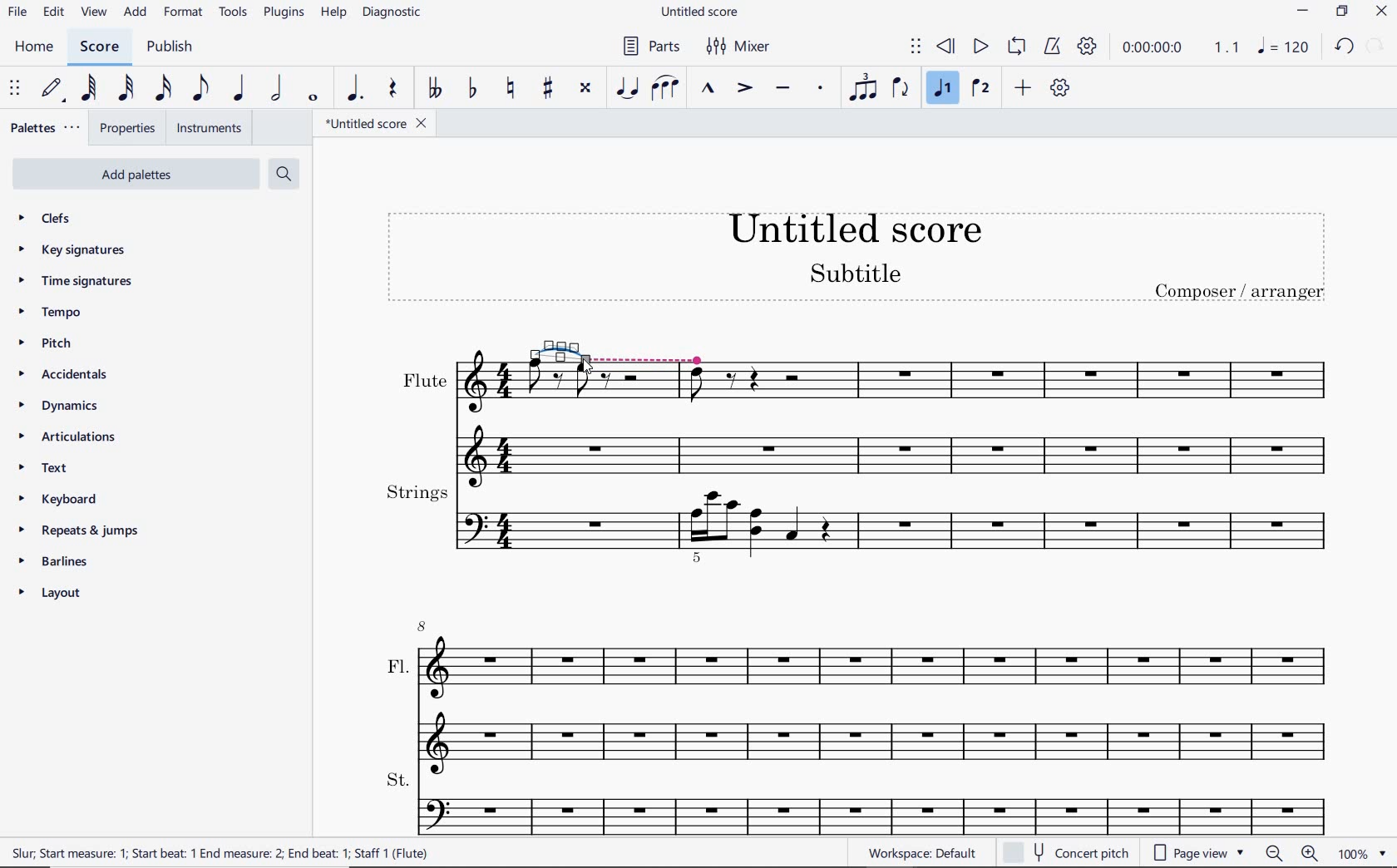 The height and width of the screenshot is (868, 1397). I want to click on home, so click(36, 47).